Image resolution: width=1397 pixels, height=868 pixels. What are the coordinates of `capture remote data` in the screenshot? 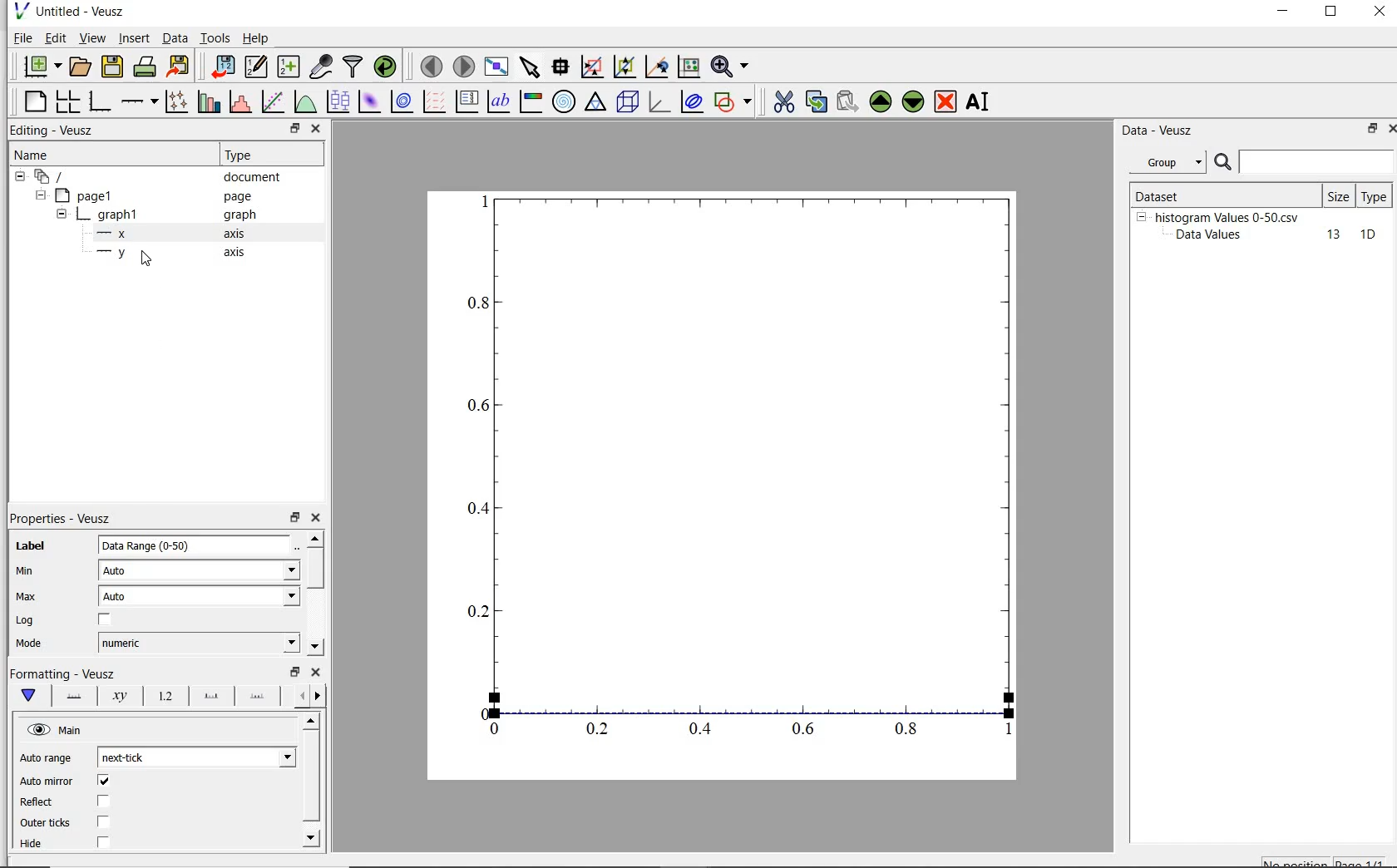 It's located at (321, 67).